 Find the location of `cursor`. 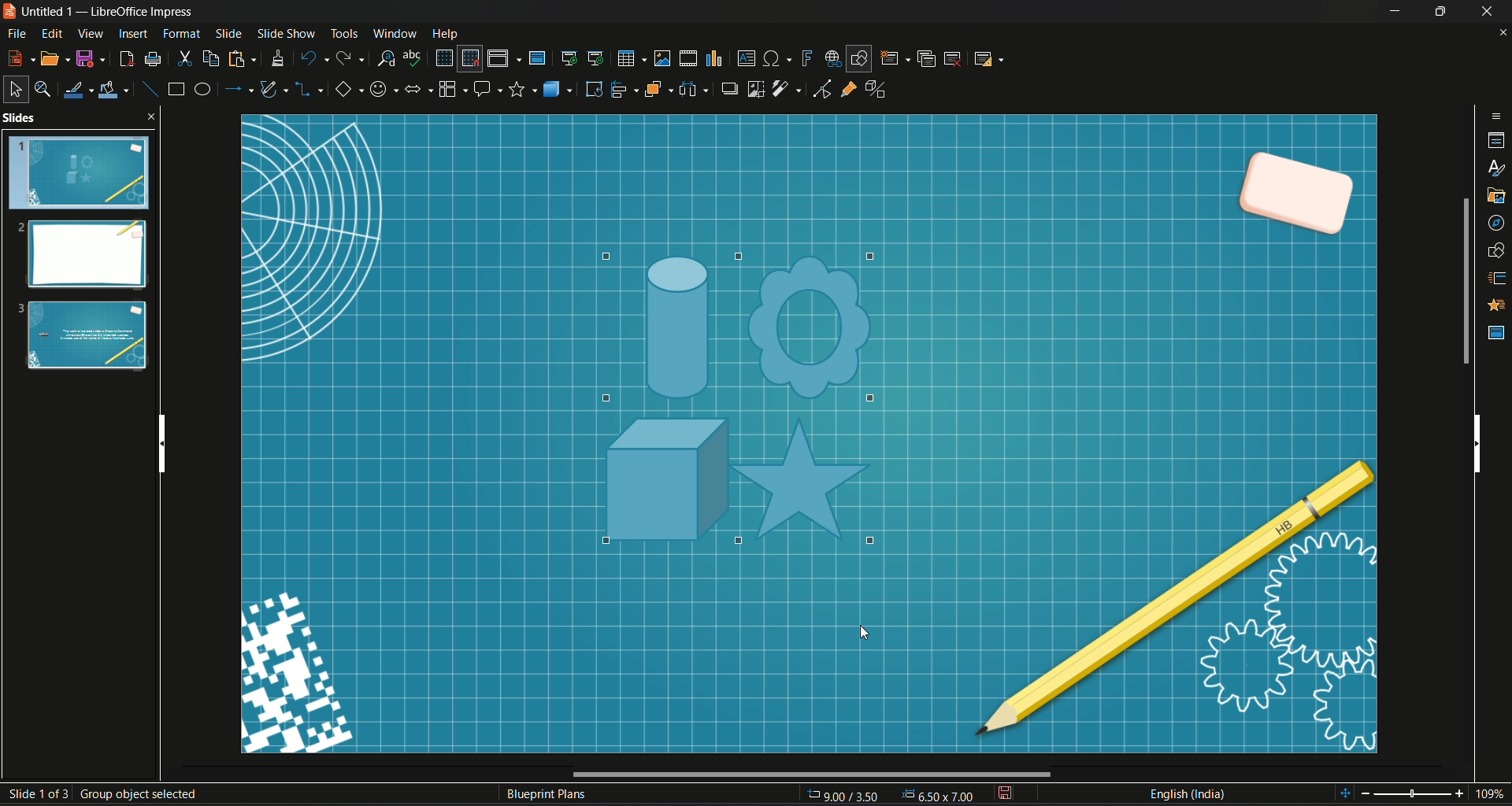

cursor is located at coordinates (858, 627).